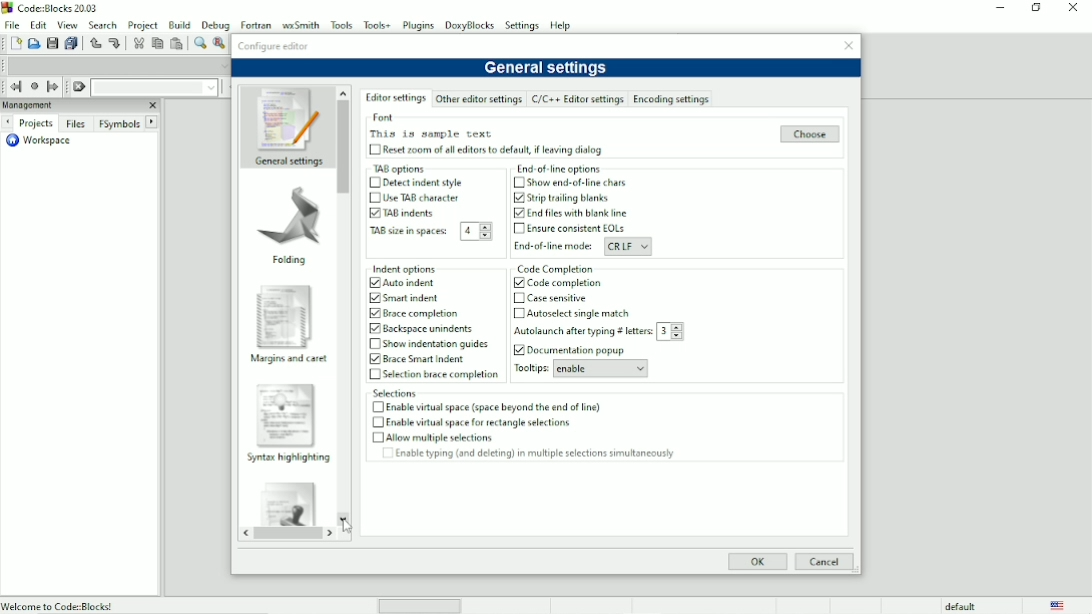  Describe the element at coordinates (372, 373) in the screenshot. I see `` at that location.